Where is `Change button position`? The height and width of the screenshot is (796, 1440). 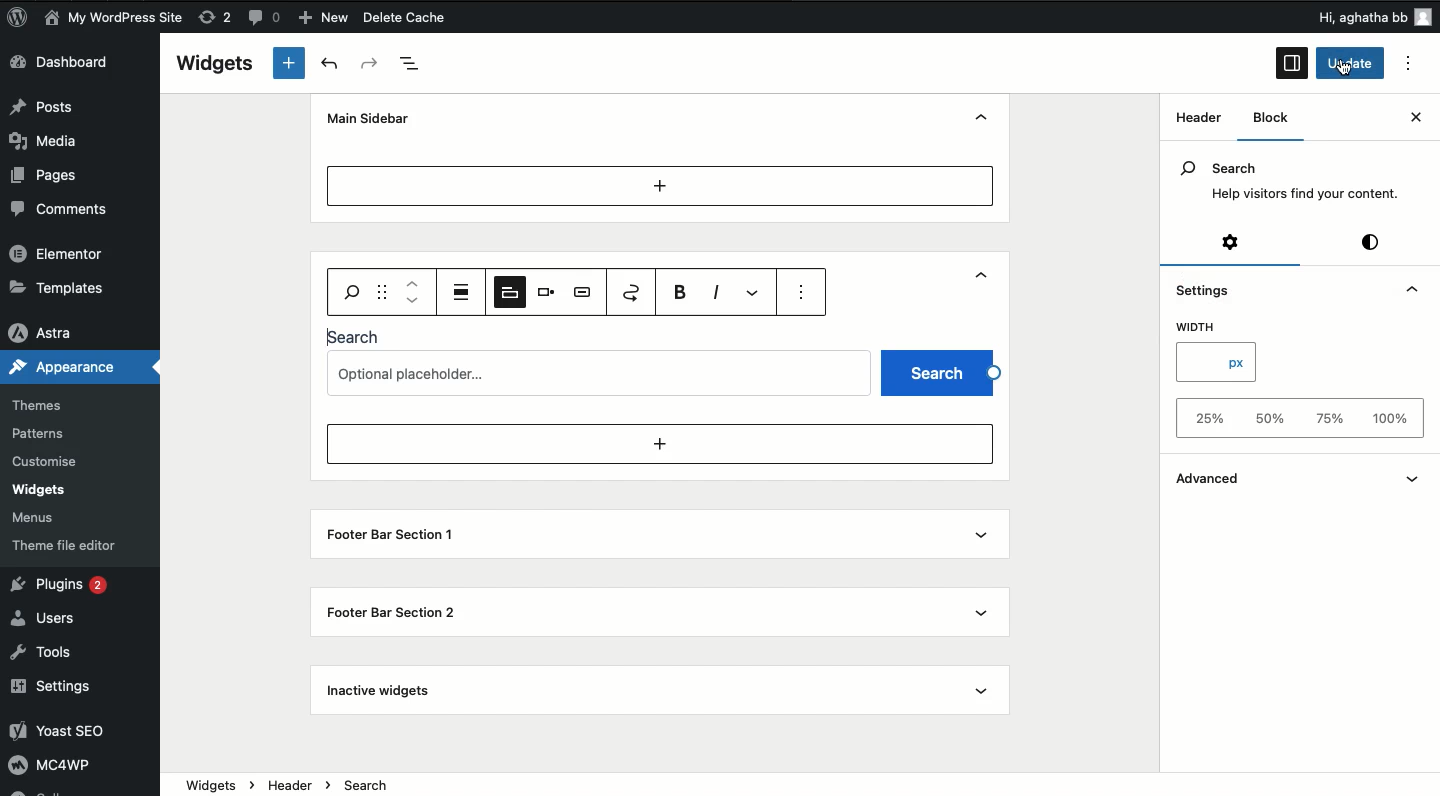 Change button position is located at coordinates (547, 291).